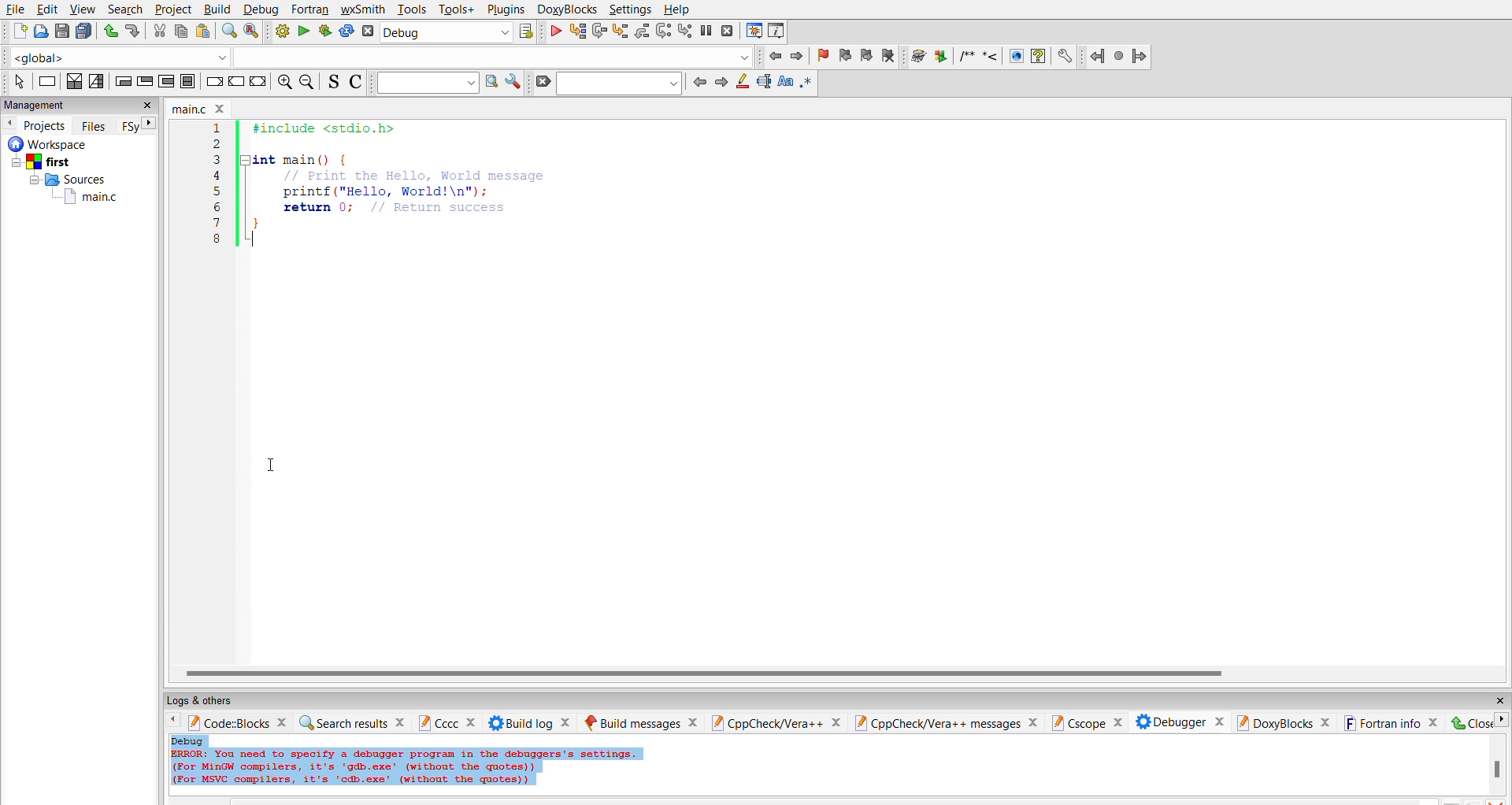 This screenshot has height=805, width=1512. Describe the element at coordinates (891, 56) in the screenshot. I see `clear bookmarks` at that location.